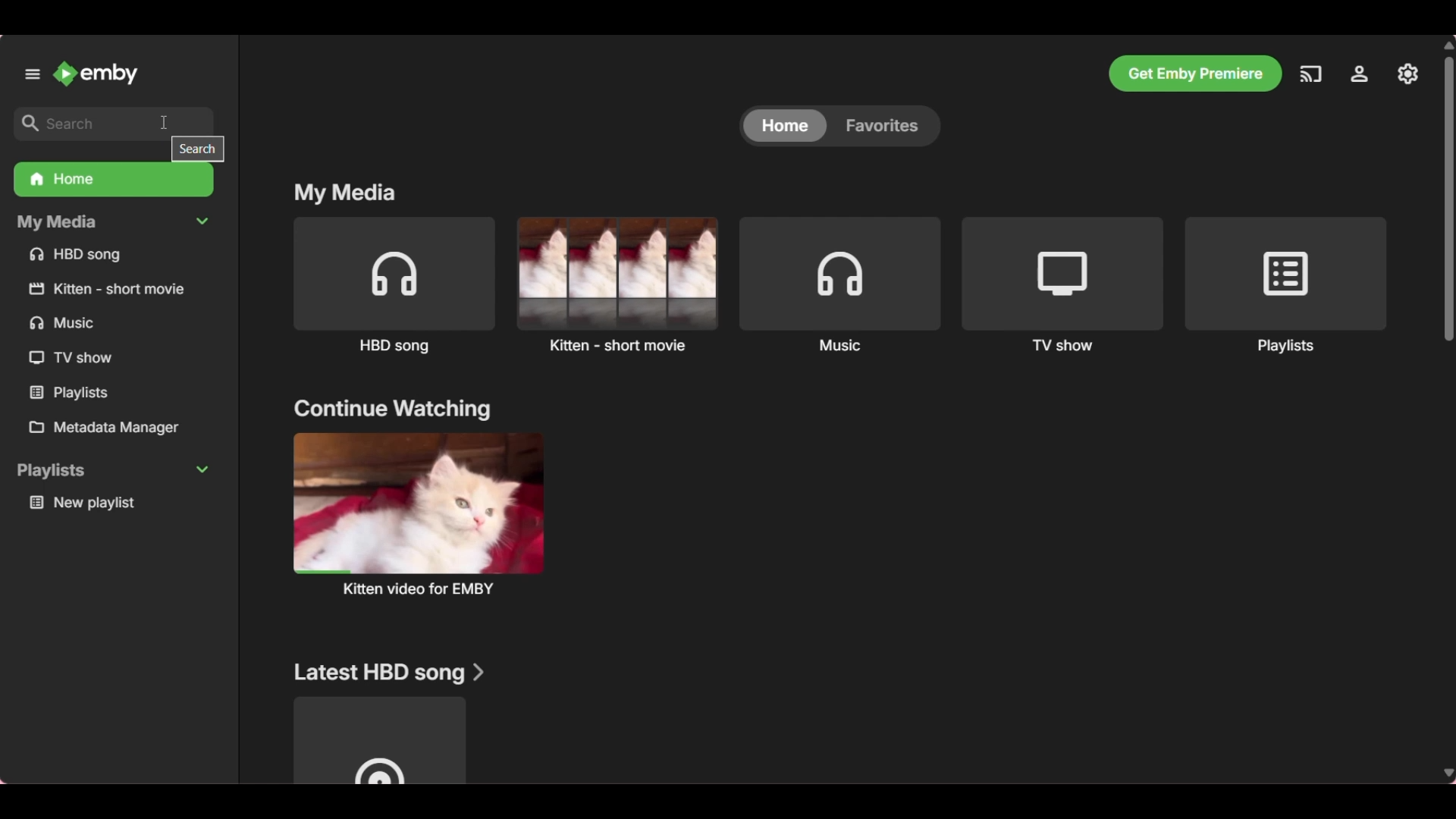  Describe the element at coordinates (347, 193) in the screenshot. I see `My media` at that location.